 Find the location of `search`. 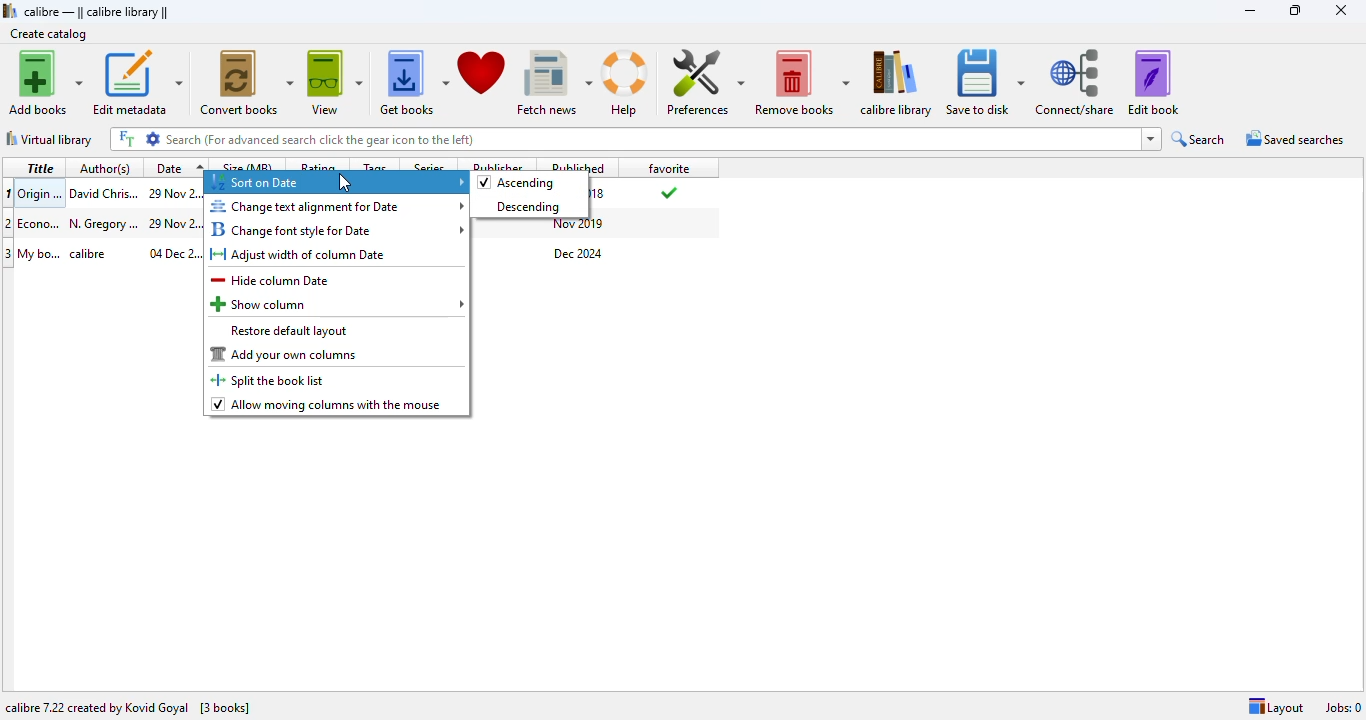

search is located at coordinates (1199, 139).